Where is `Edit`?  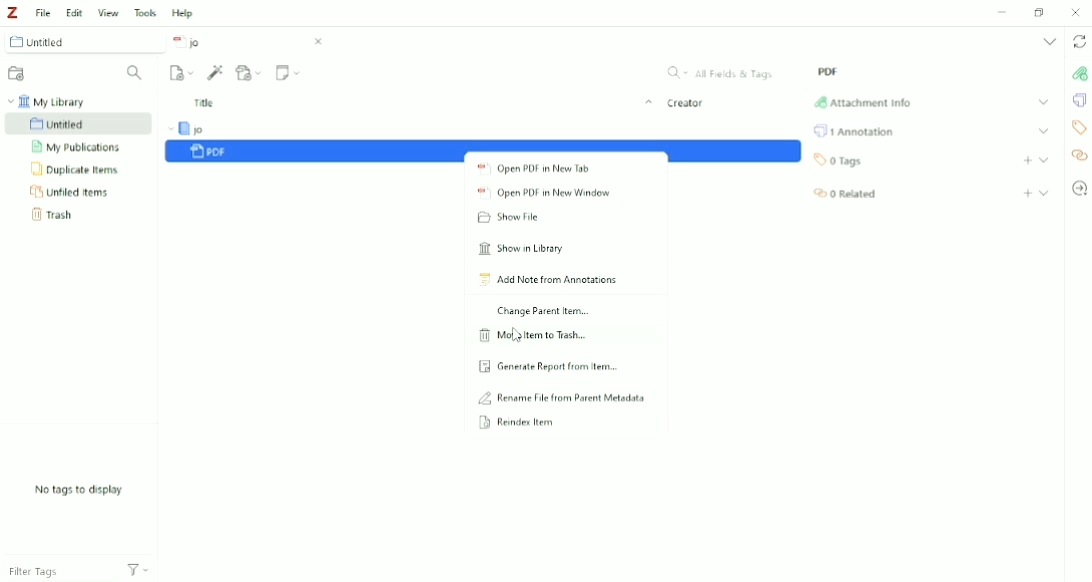
Edit is located at coordinates (74, 12).